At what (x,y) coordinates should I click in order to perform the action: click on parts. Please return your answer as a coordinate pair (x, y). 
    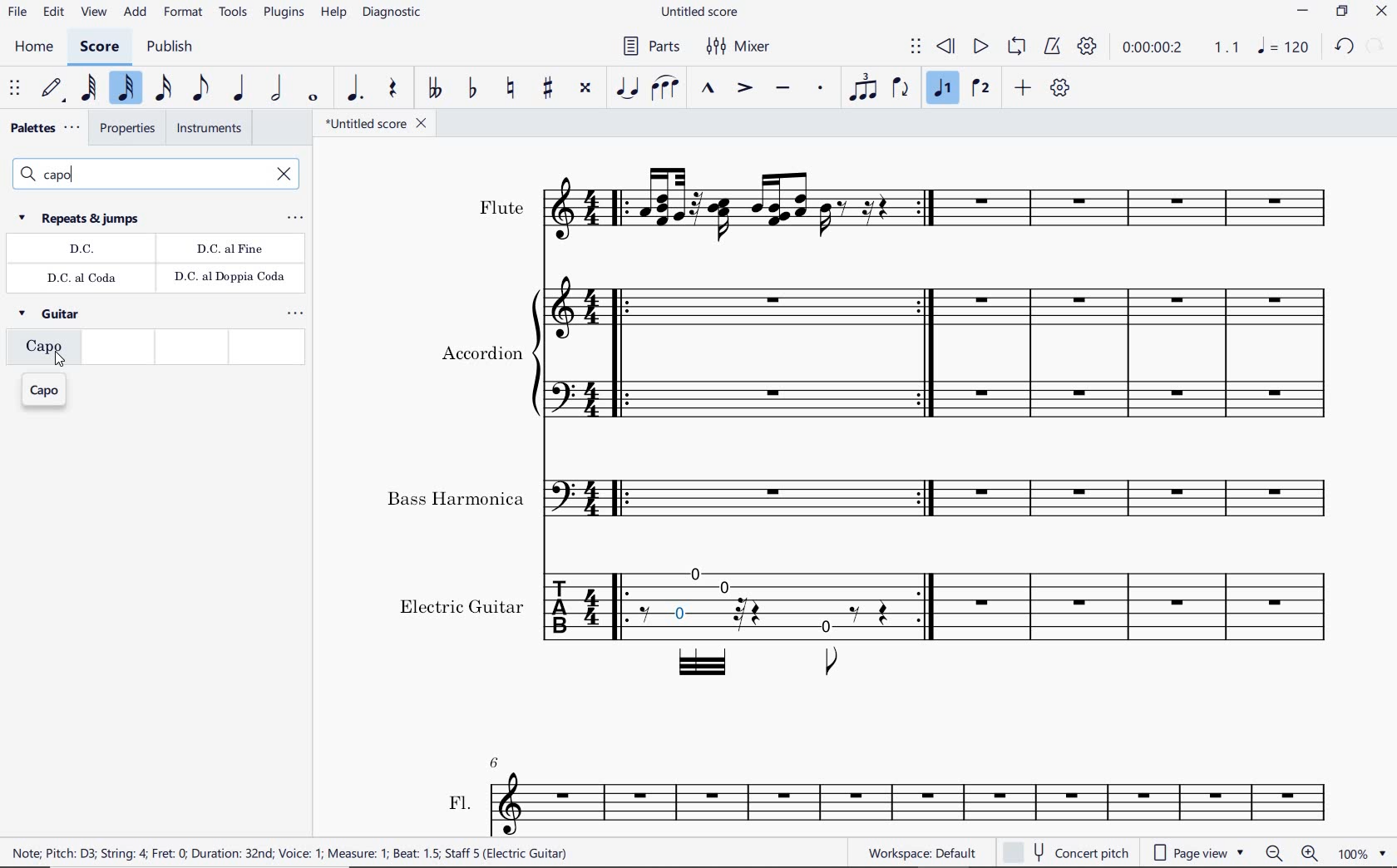
    Looking at the image, I should click on (652, 47).